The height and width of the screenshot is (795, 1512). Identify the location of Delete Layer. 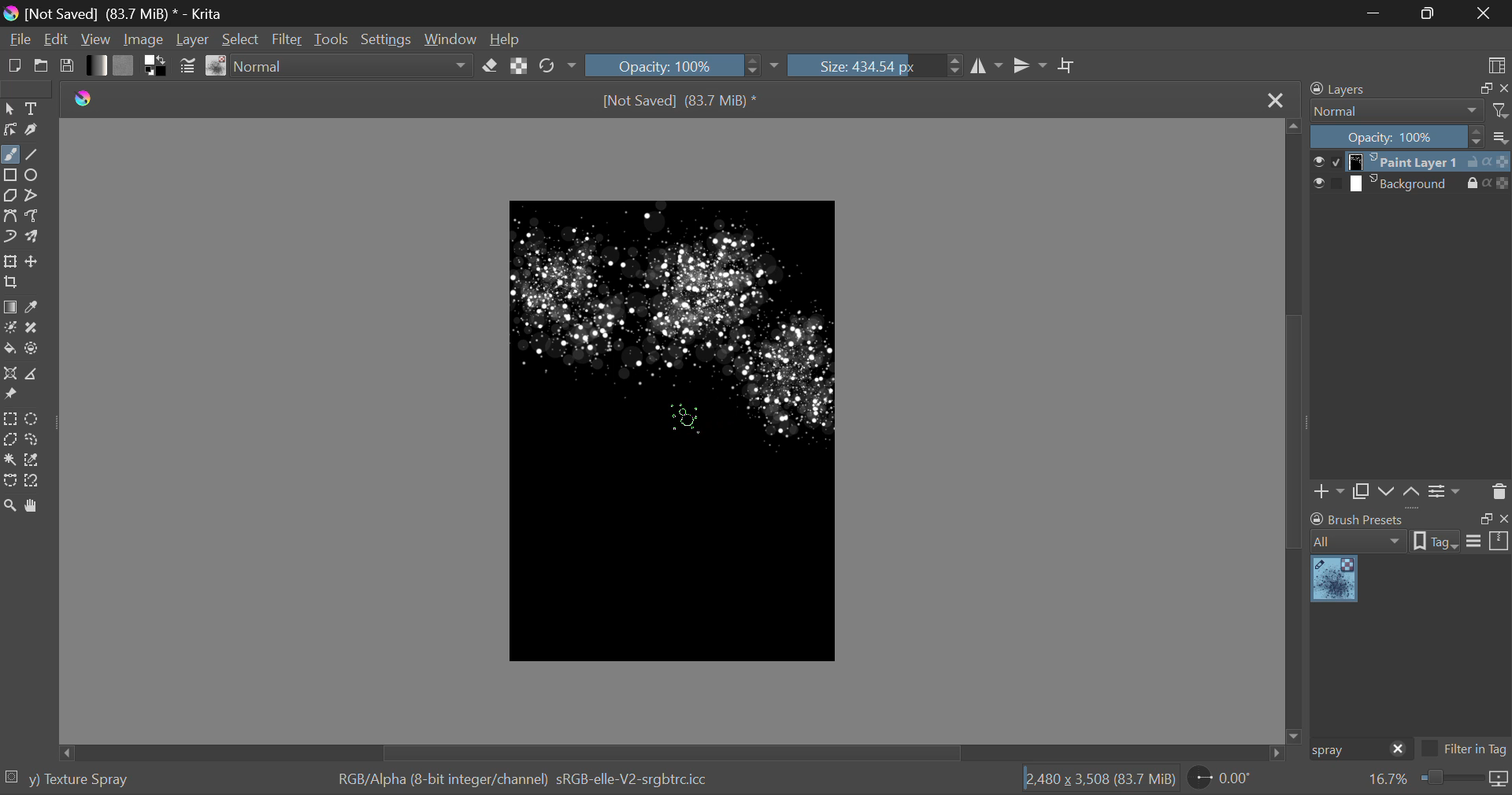
(1497, 490).